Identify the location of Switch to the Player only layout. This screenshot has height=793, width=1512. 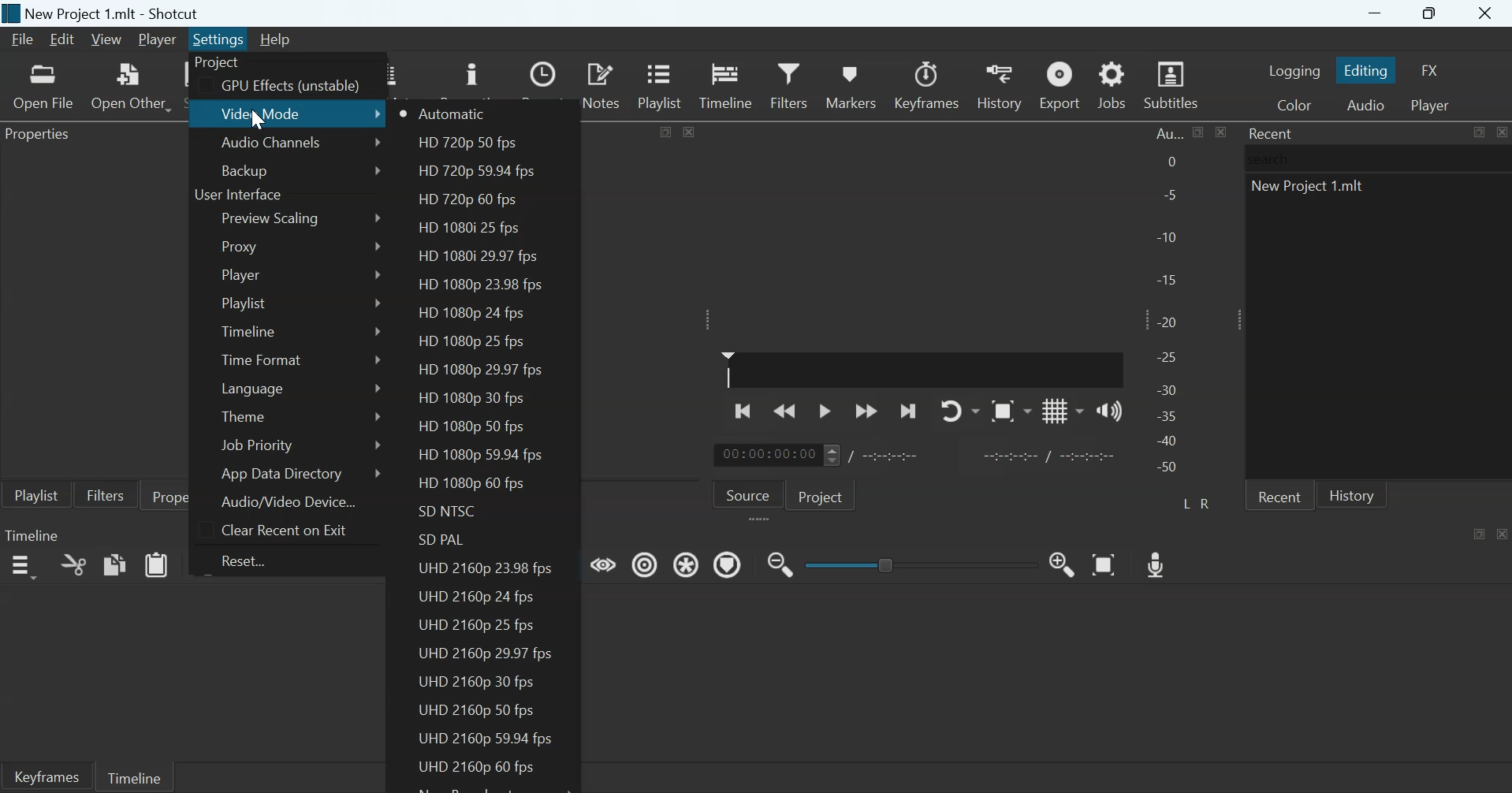
(1432, 106).